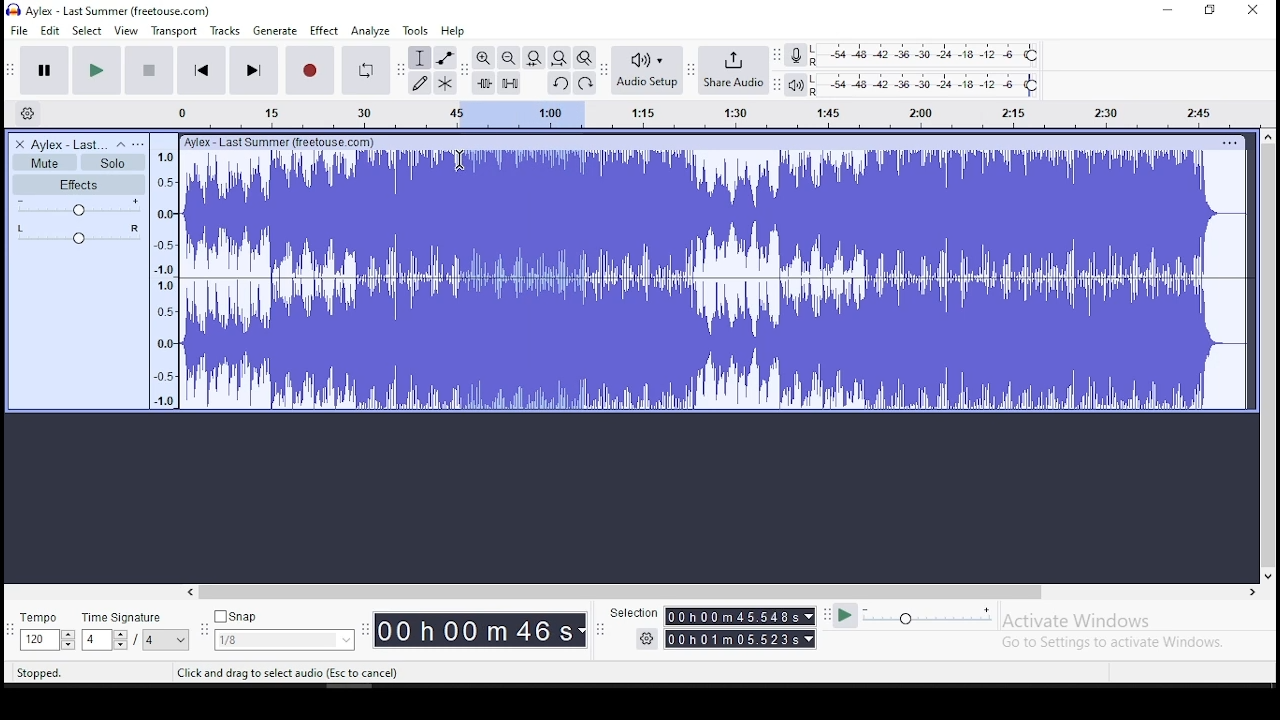 This screenshot has height=720, width=1280. Describe the element at coordinates (254, 71) in the screenshot. I see `skip to end` at that location.